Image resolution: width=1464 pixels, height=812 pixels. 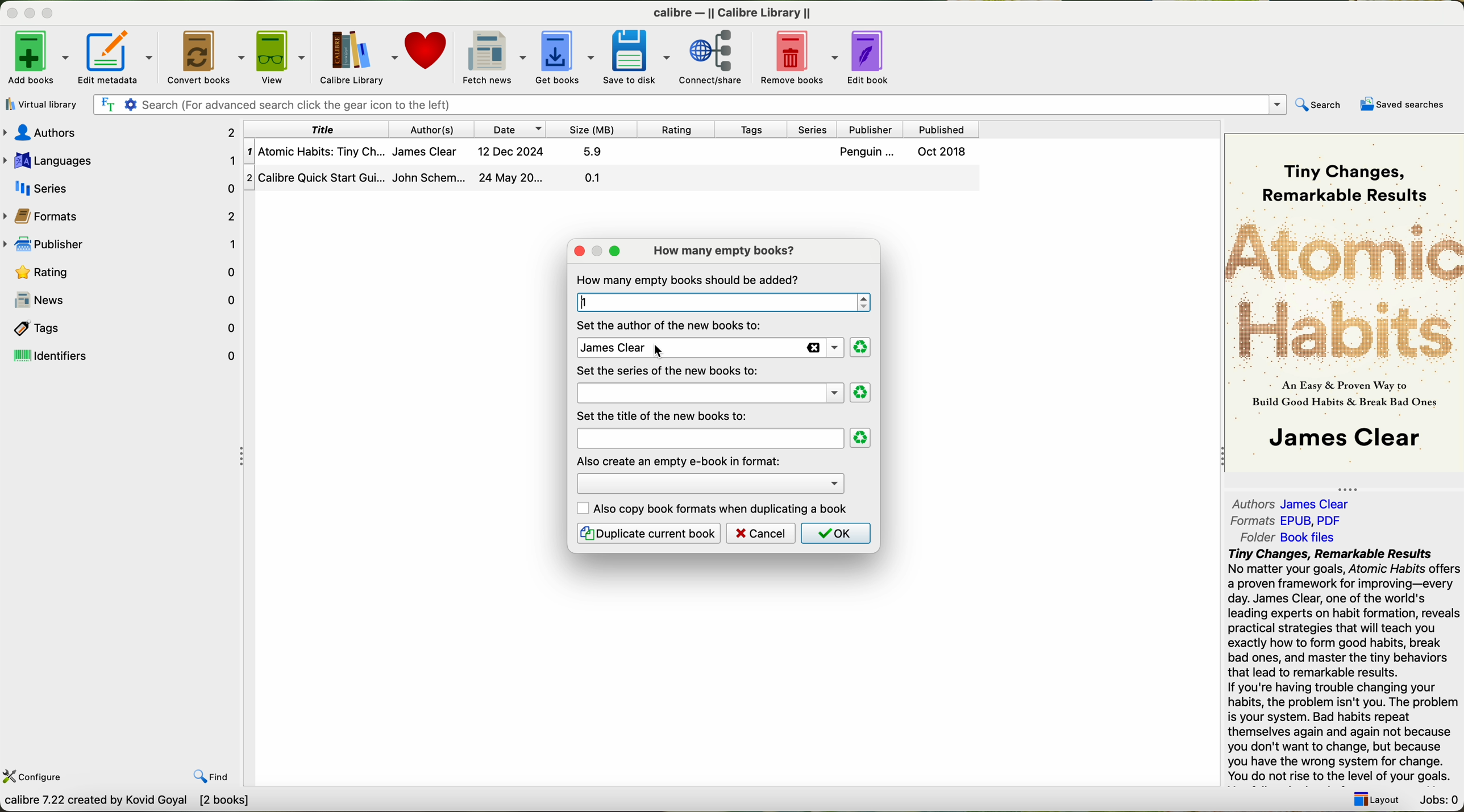 What do you see at coordinates (117, 57) in the screenshot?
I see `edit metadata` at bounding box center [117, 57].